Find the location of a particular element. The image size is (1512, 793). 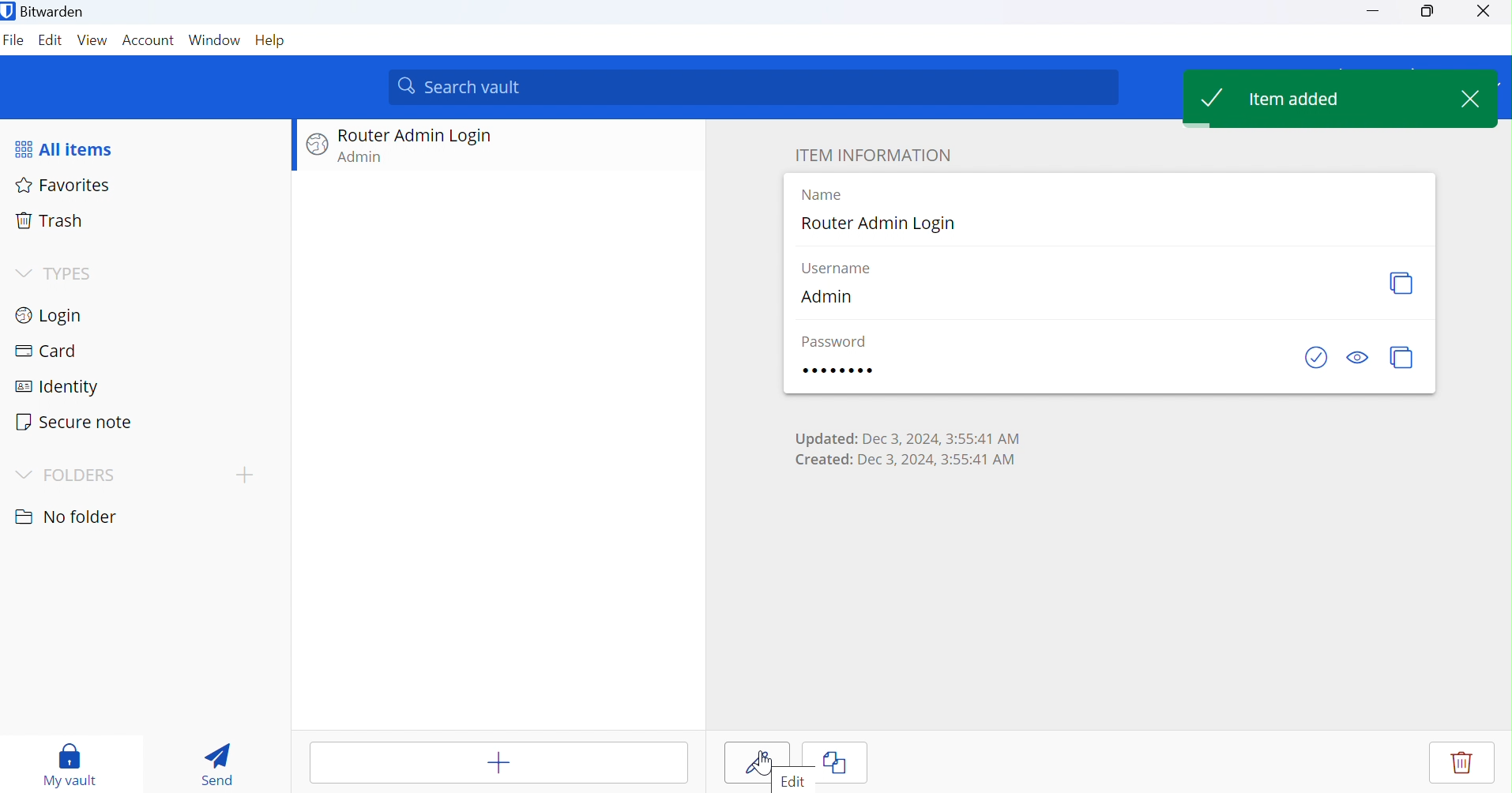

Send is located at coordinates (219, 765).